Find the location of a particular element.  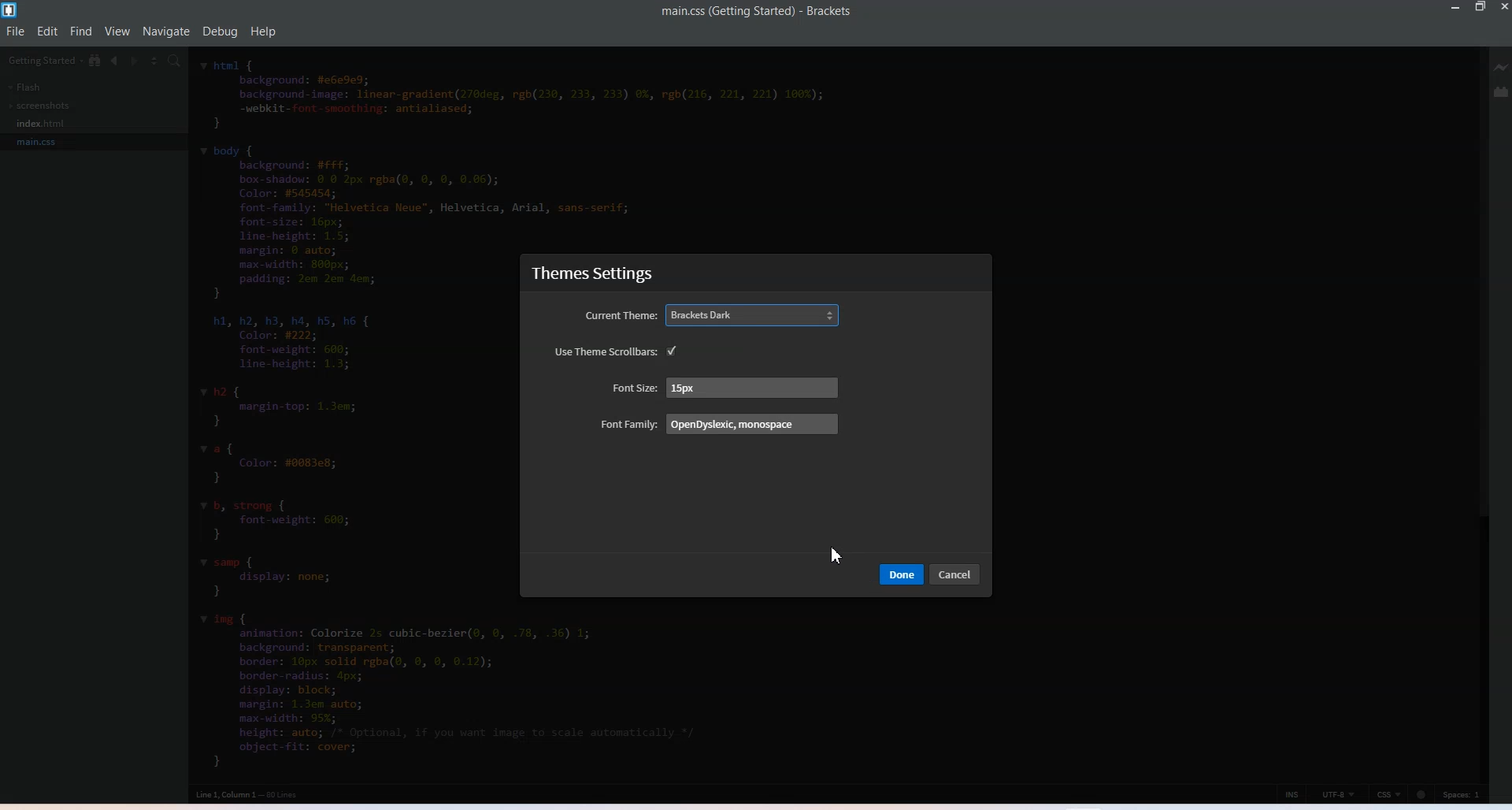

Theme Settings is located at coordinates (593, 274).